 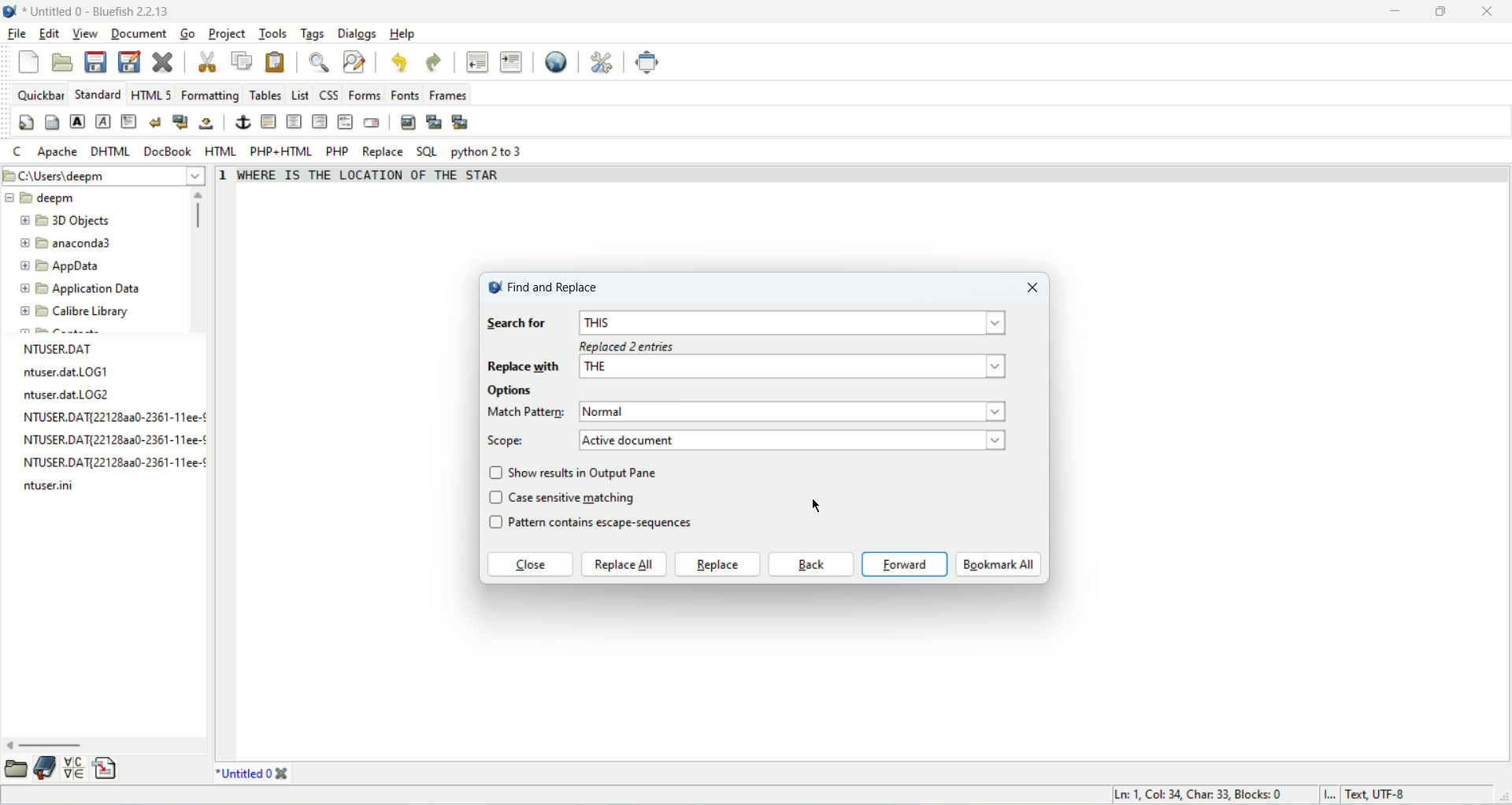 I want to click on NTUSER.DAT, so click(x=61, y=348).